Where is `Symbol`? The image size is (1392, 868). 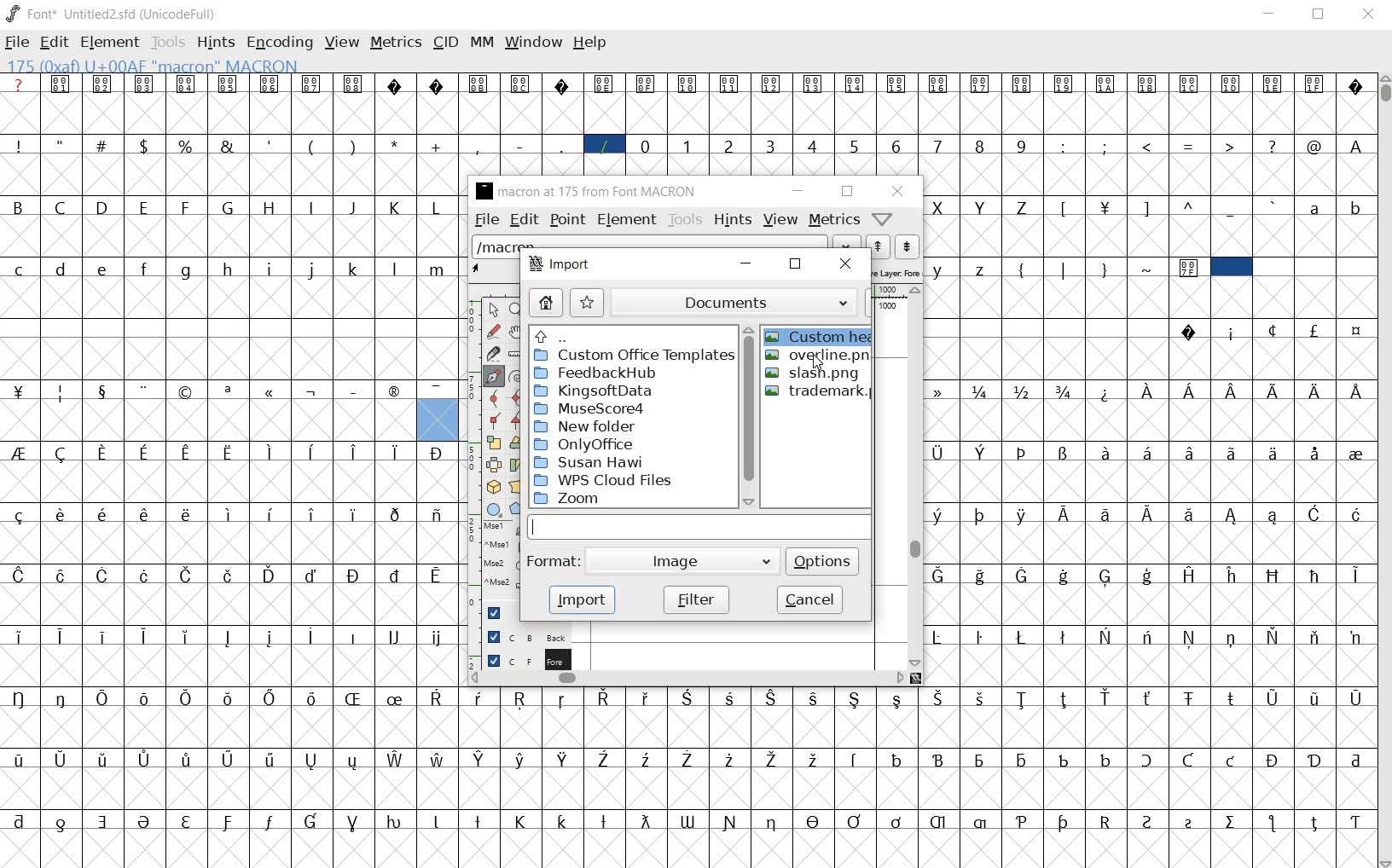 Symbol is located at coordinates (188, 758).